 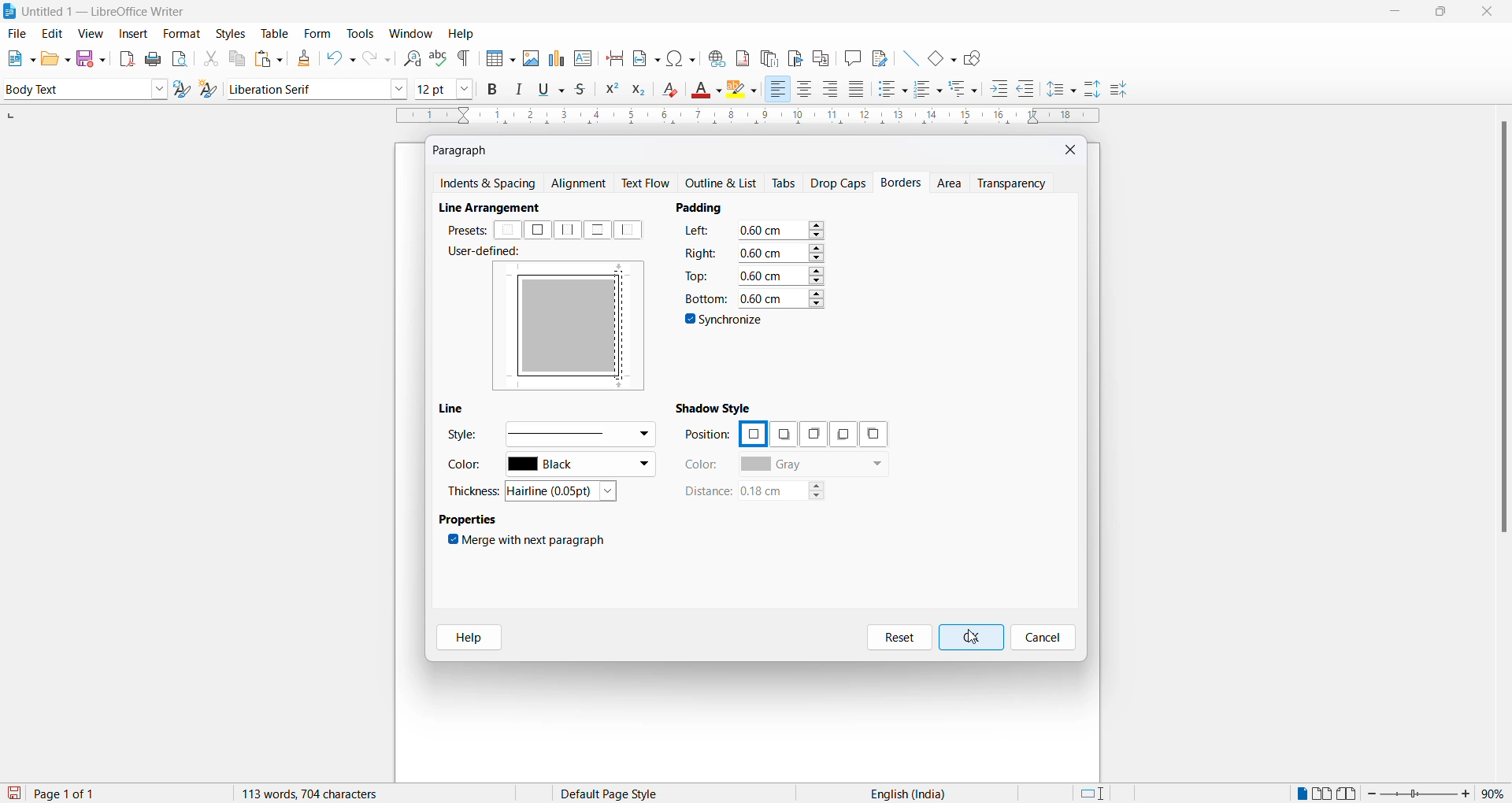 What do you see at coordinates (970, 638) in the screenshot?
I see `ok` at bounding box center [970, 638].